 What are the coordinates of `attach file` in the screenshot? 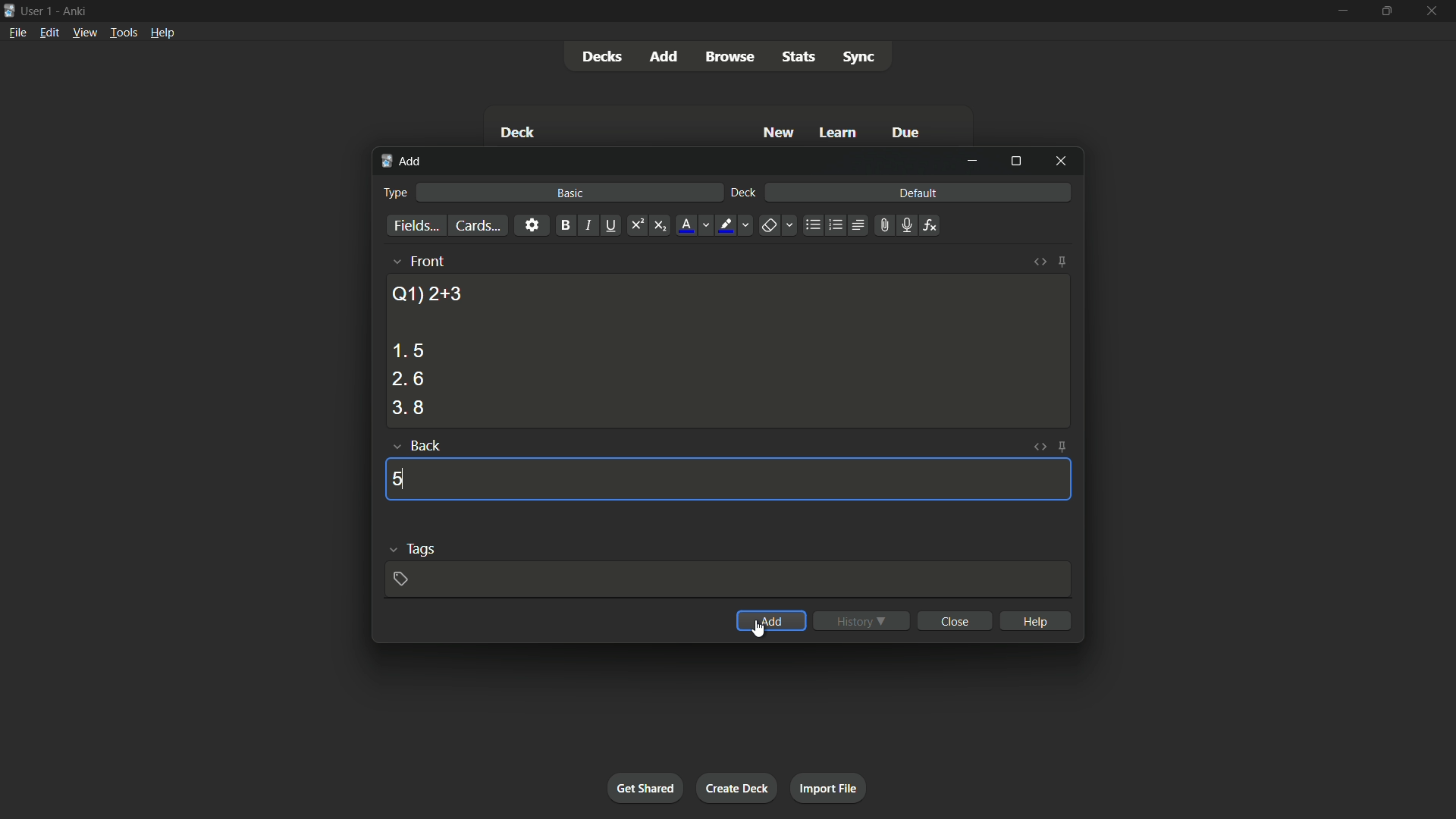 It's located at (883, 225).